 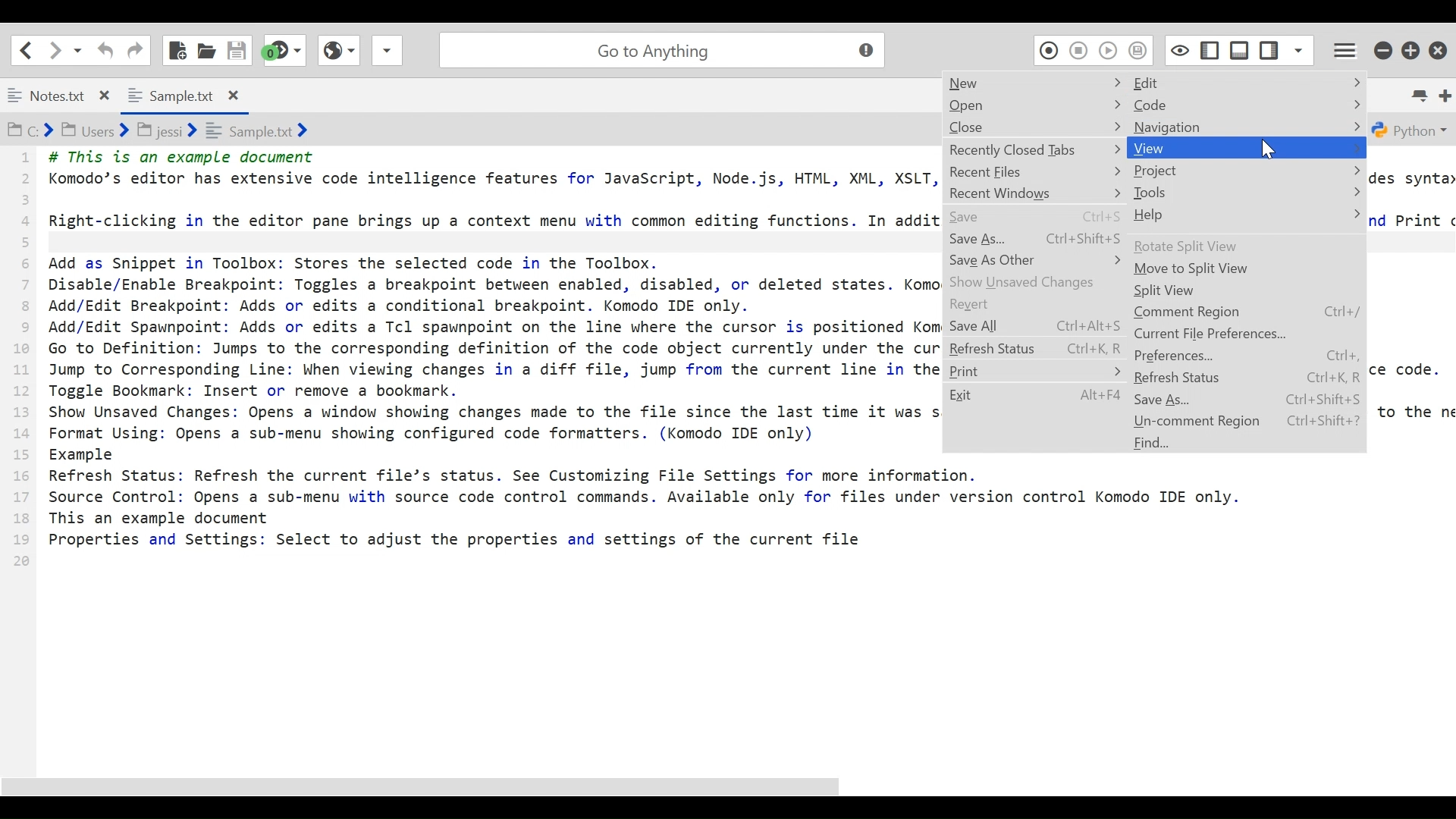 What do you see at coordinates (337, 50) in the screenshot?
I see `View Browser` at bounding box center [337, 50].